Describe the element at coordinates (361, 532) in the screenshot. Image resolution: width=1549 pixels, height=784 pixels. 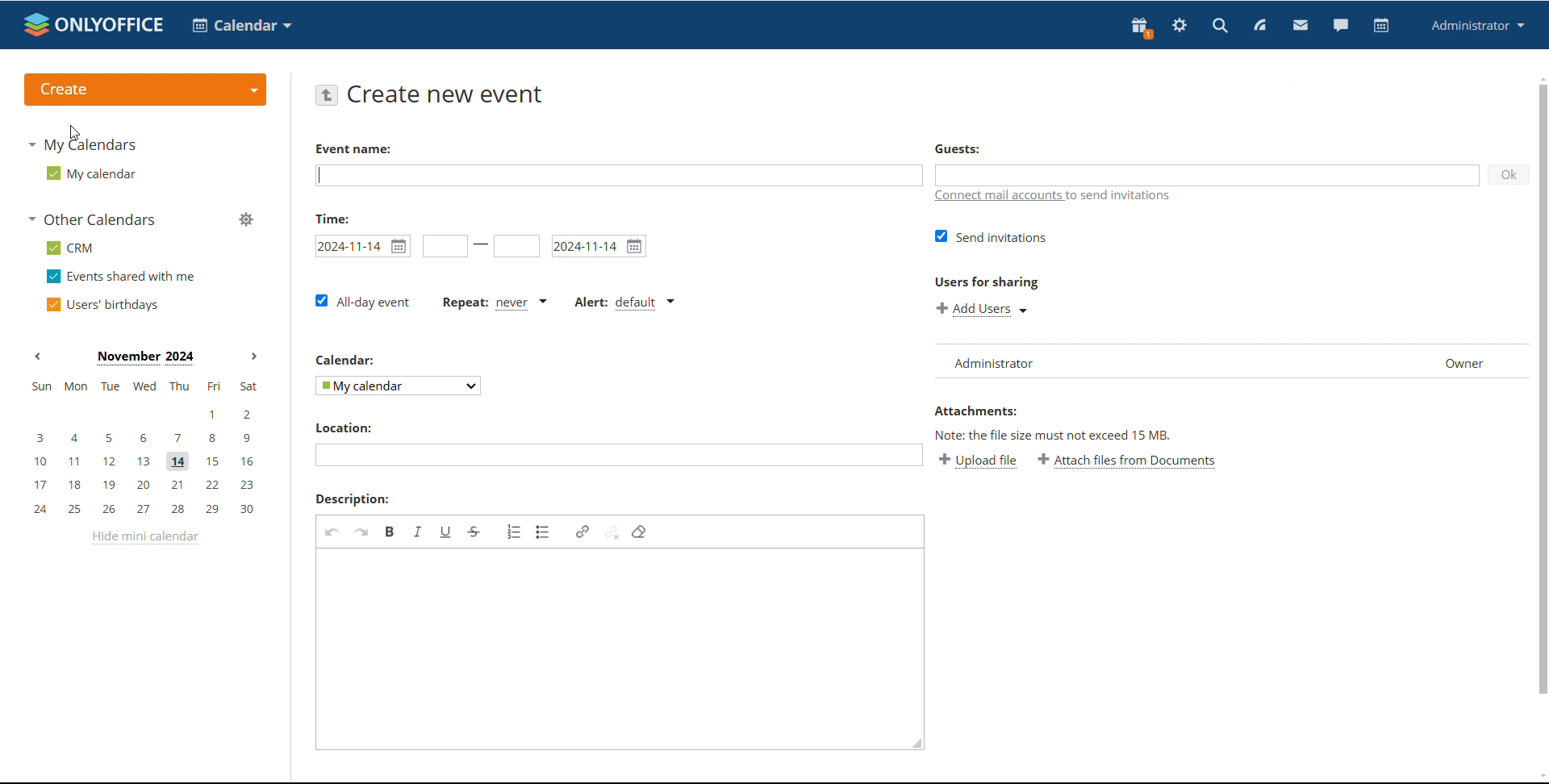
I see `redo` at that location.